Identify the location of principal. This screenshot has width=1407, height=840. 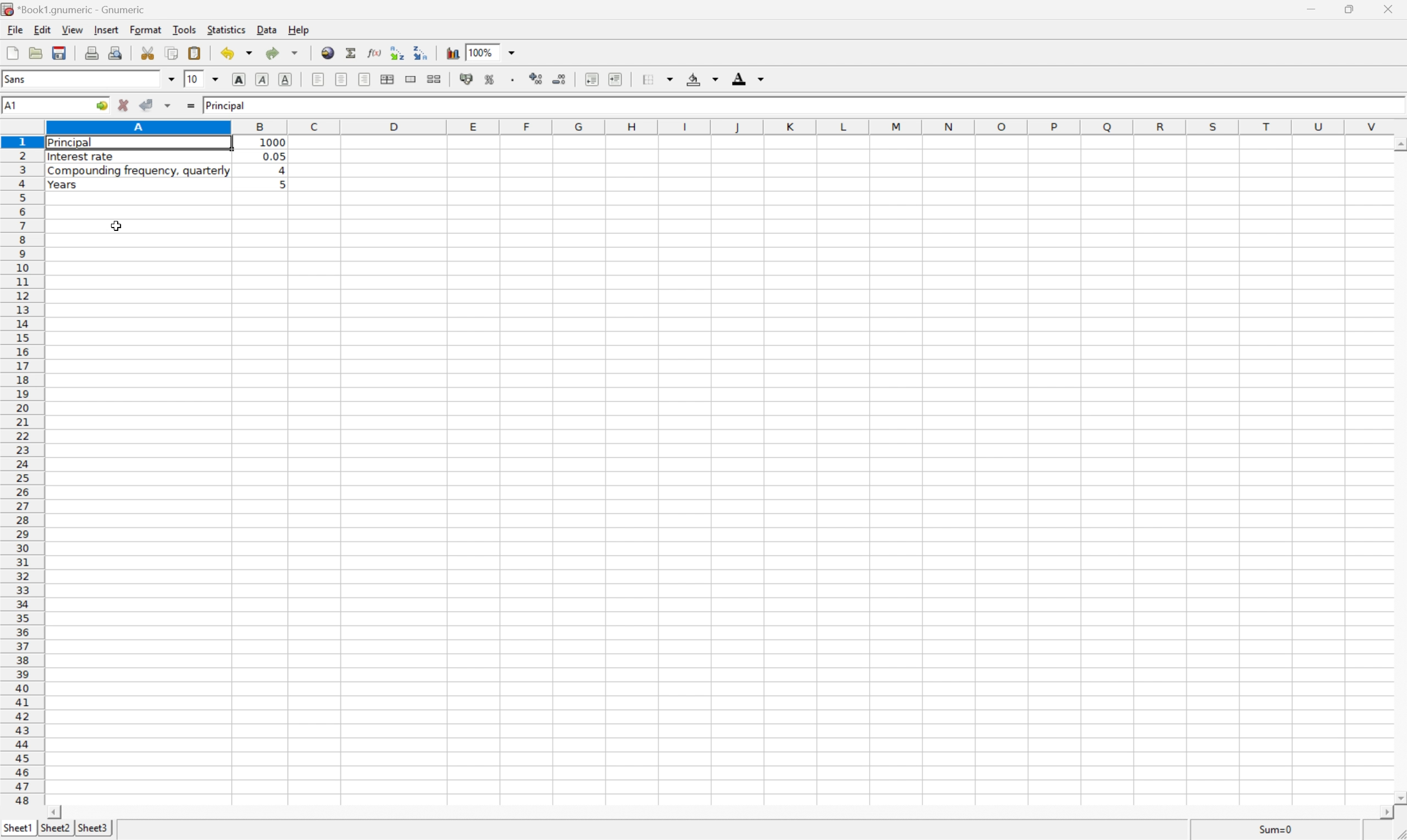
(236, 106).